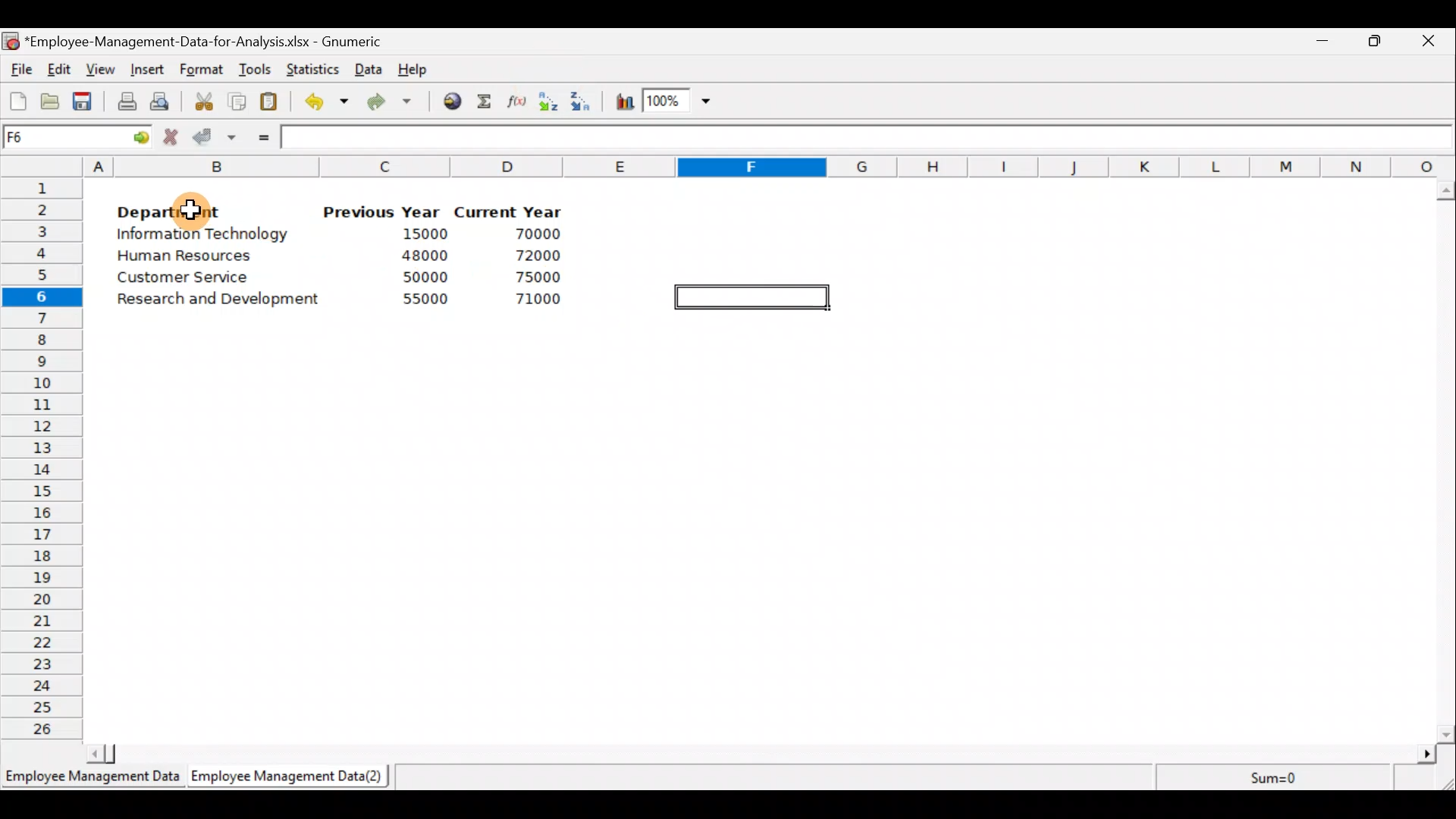 Image resolution: width=1456 pixels, height=819 pixels. Describe the element at coordinates (290, 777) in the screenshot. I see `Employee Management Data (2)` at that location.